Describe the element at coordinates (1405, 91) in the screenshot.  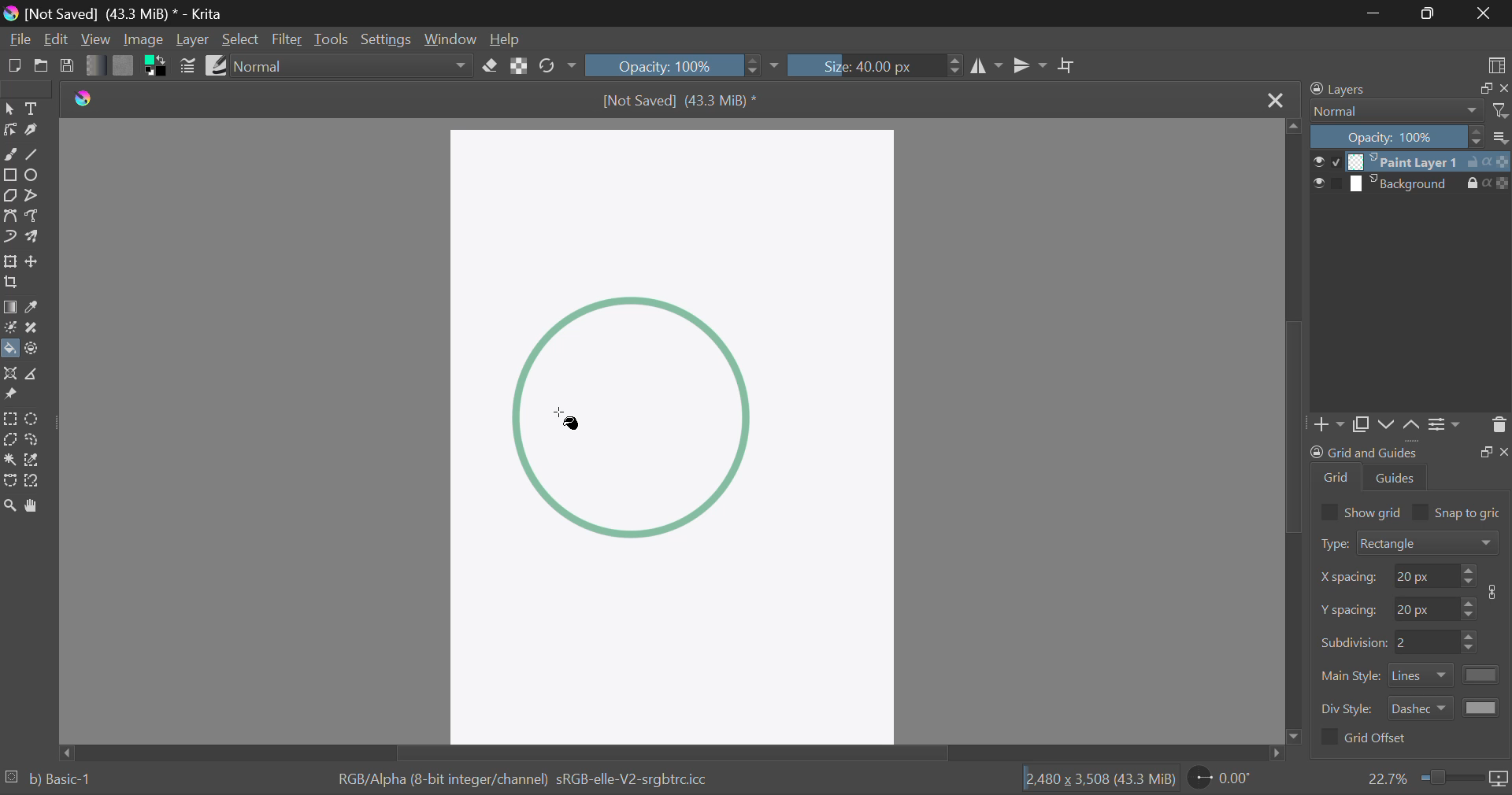
I see `Layers Docker Tab` at that location.